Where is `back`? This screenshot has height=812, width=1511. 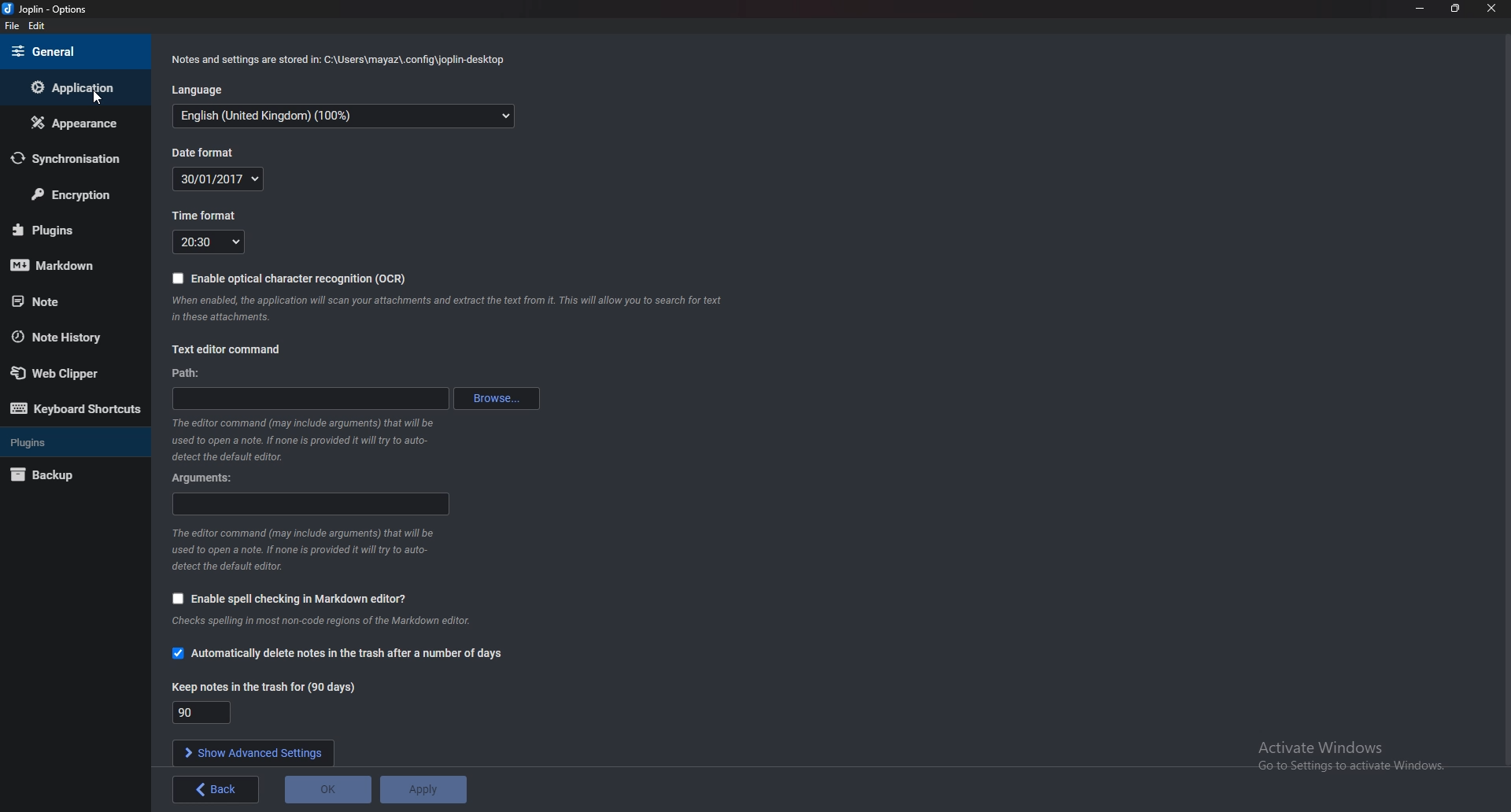 back is located at coordinates (216, 789).